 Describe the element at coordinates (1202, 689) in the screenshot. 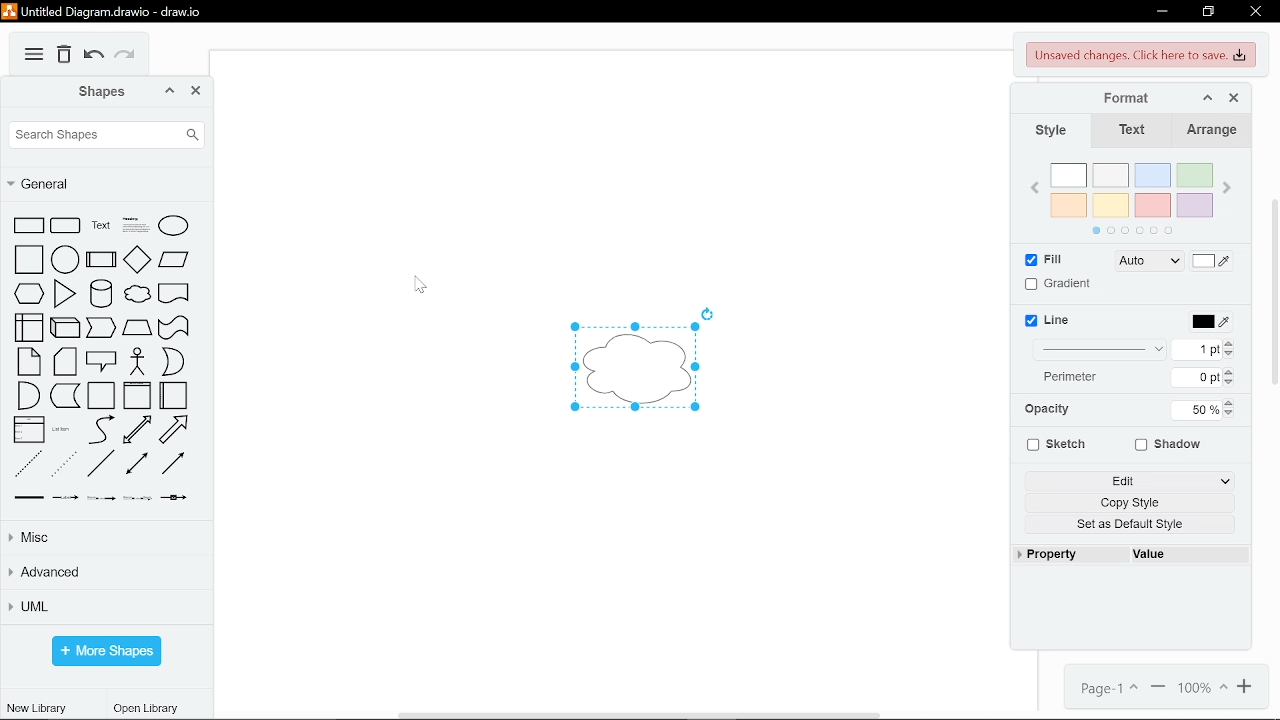

I see `current zoom` at that location.